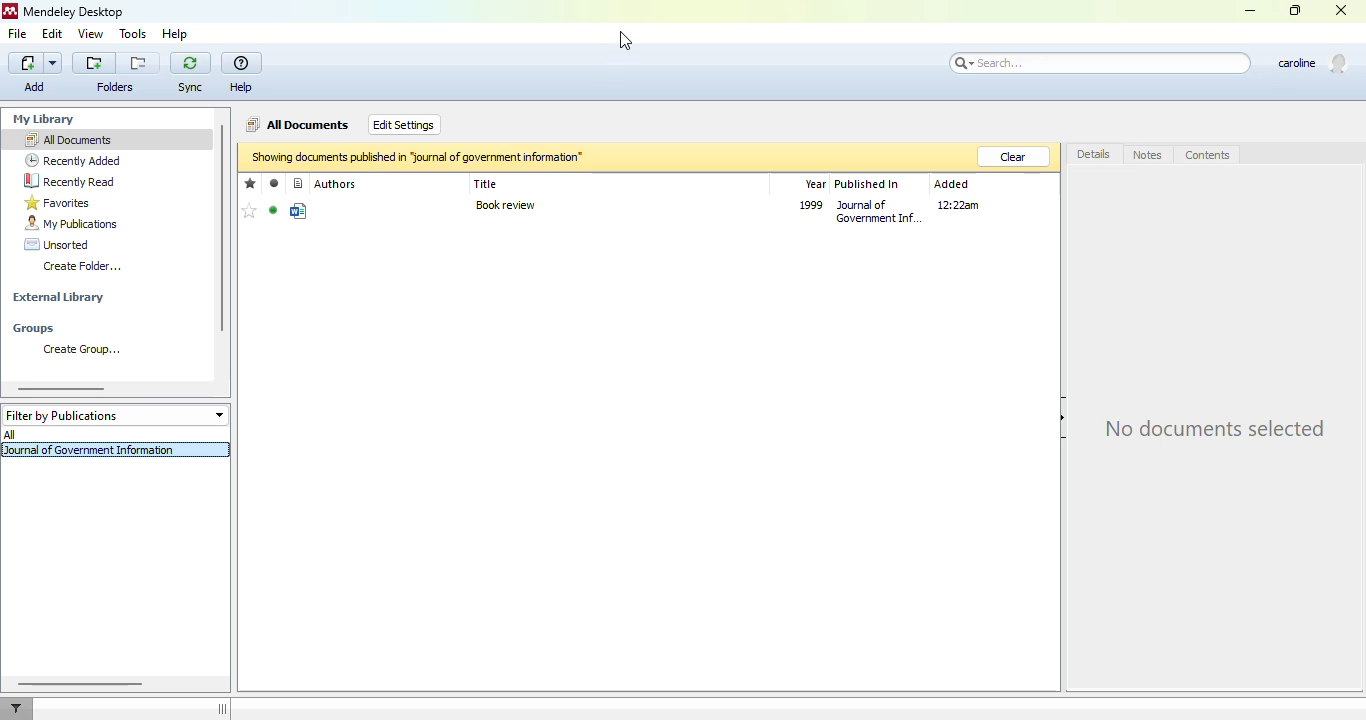  I want to click on recently read, so click(72, 181).